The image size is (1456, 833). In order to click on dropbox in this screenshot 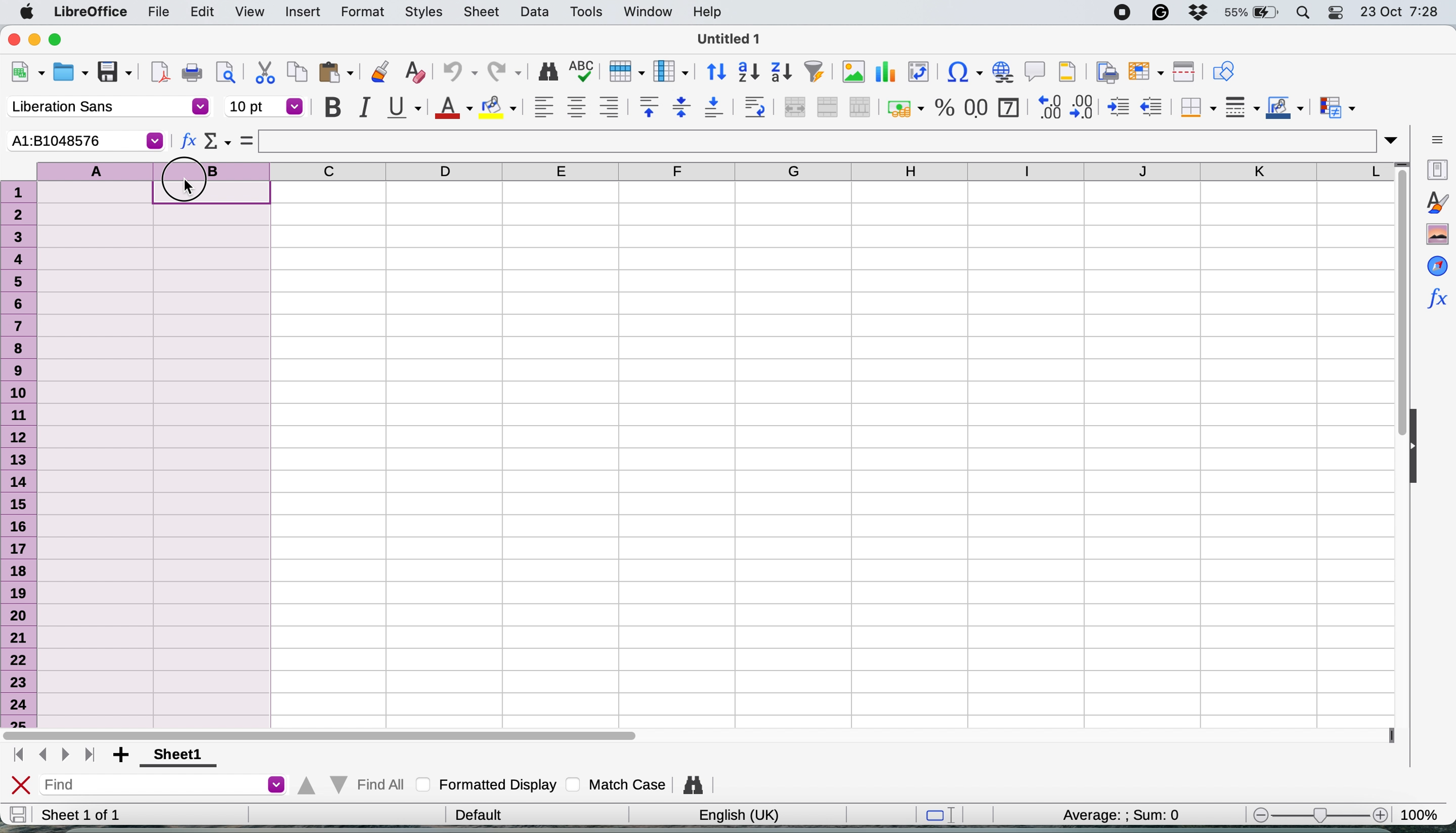, I will do `click(1196, 14)`.